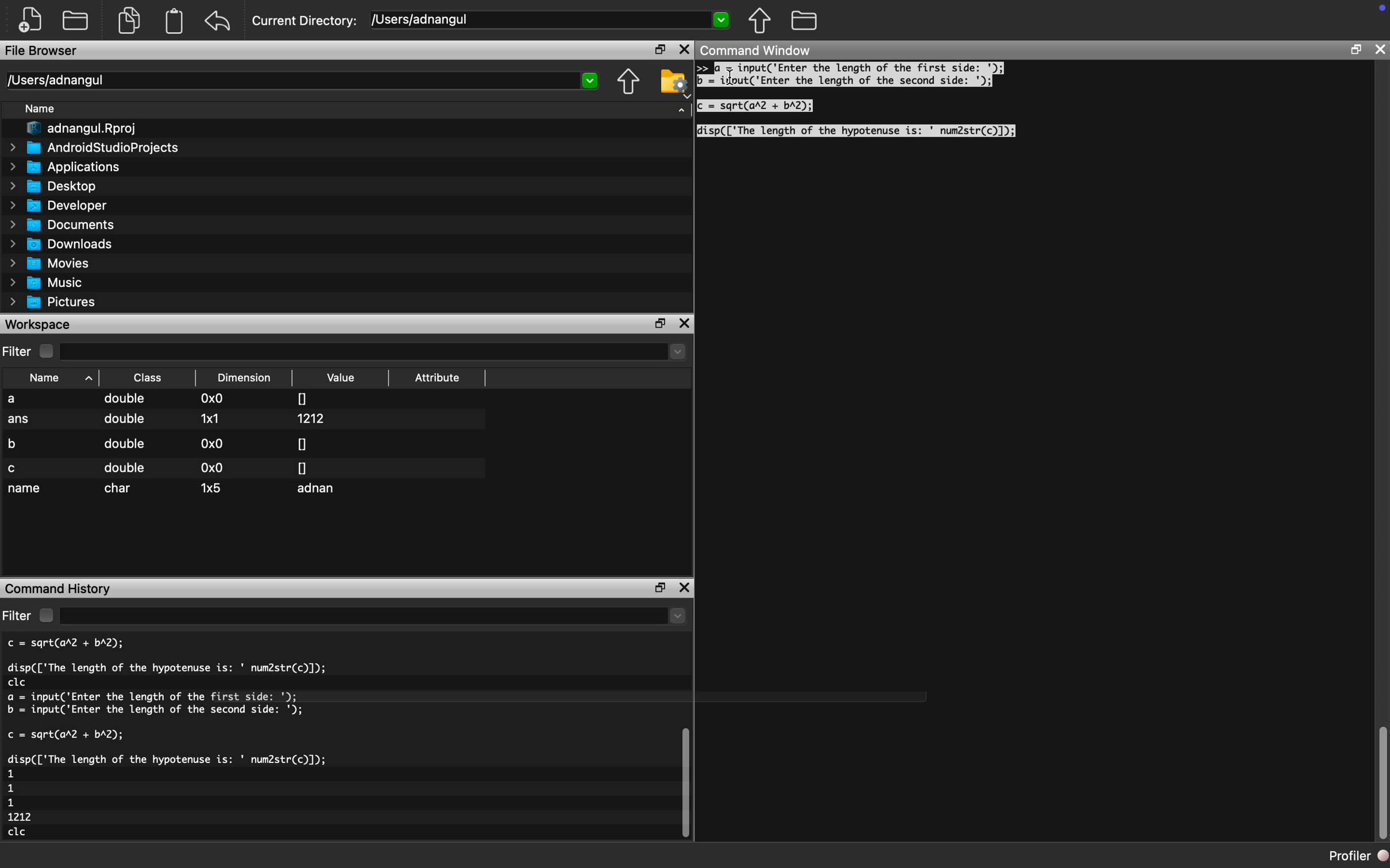  Describe the element at coordinates (687, 324) in the screenshot. I see `close` at that location.